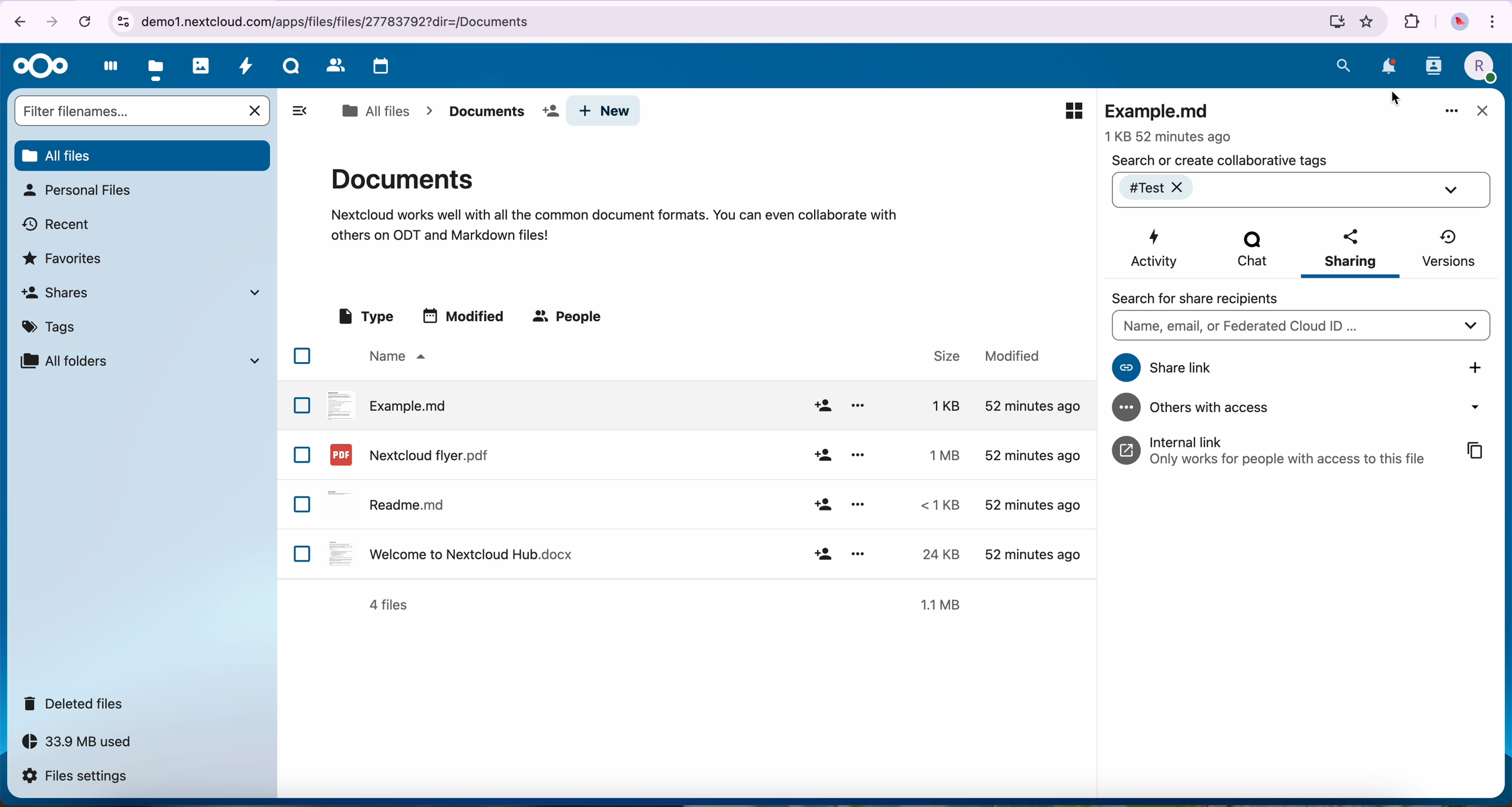  Describe the element at coordinates (1250, 252) in the screenshot. I see `chat` at that location.